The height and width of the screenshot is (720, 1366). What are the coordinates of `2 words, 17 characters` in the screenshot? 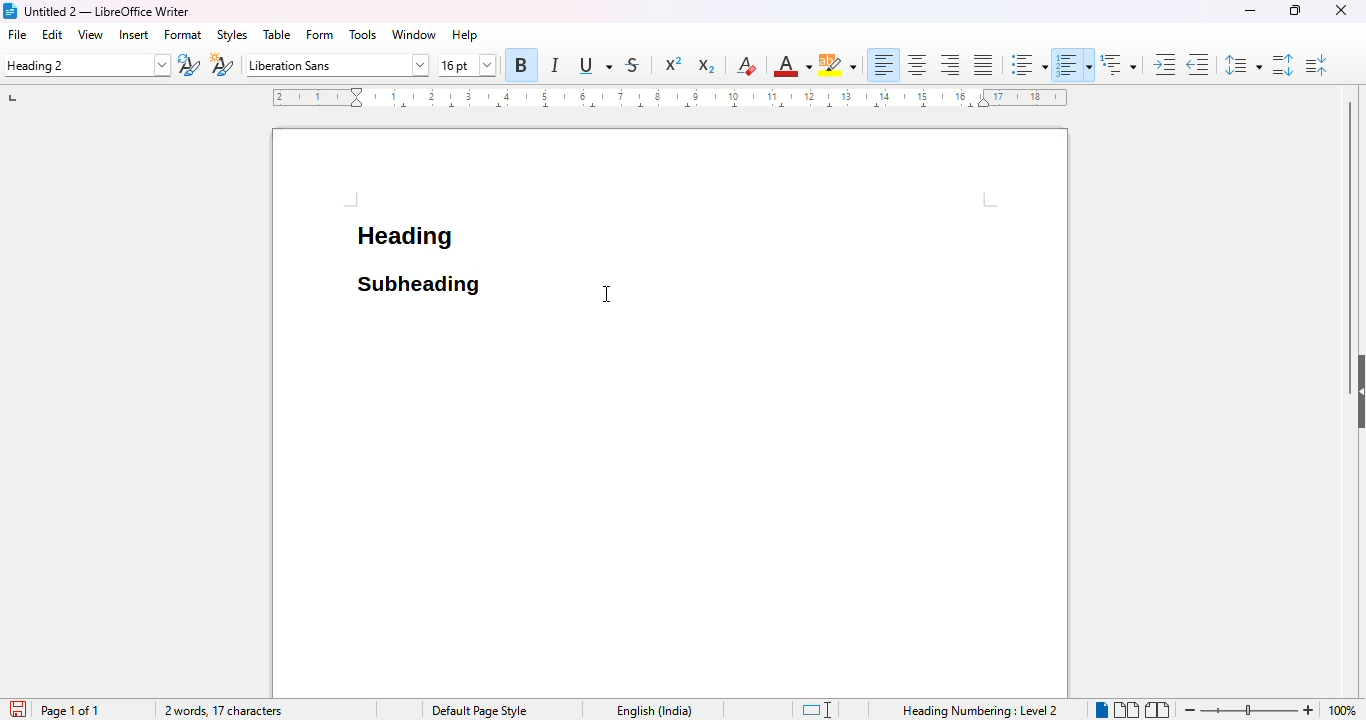 It's located at (222, 711).